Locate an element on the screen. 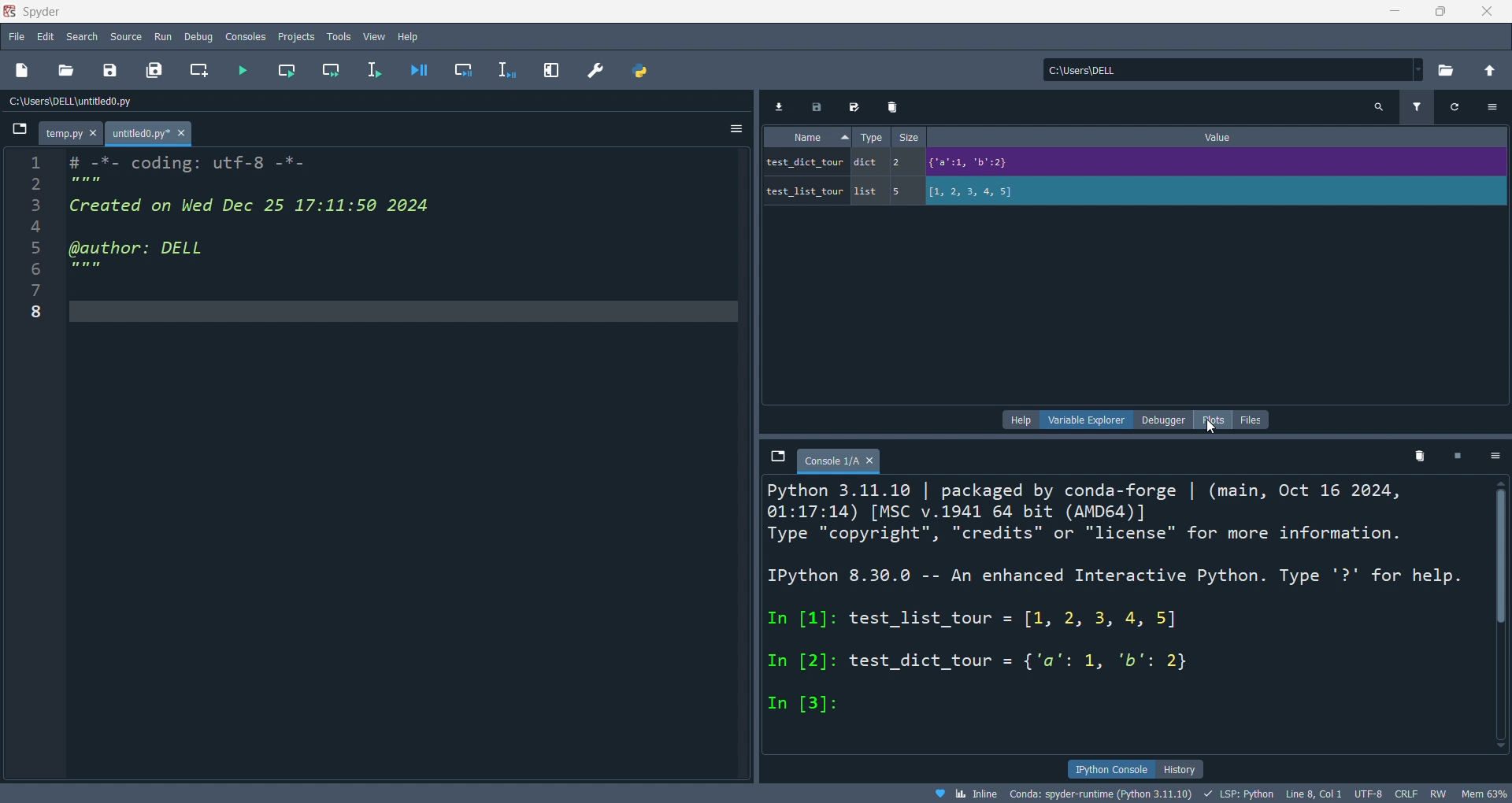 The width and height of the screenshot is (1512, 803). run cell is located at coordinates (287, 69).